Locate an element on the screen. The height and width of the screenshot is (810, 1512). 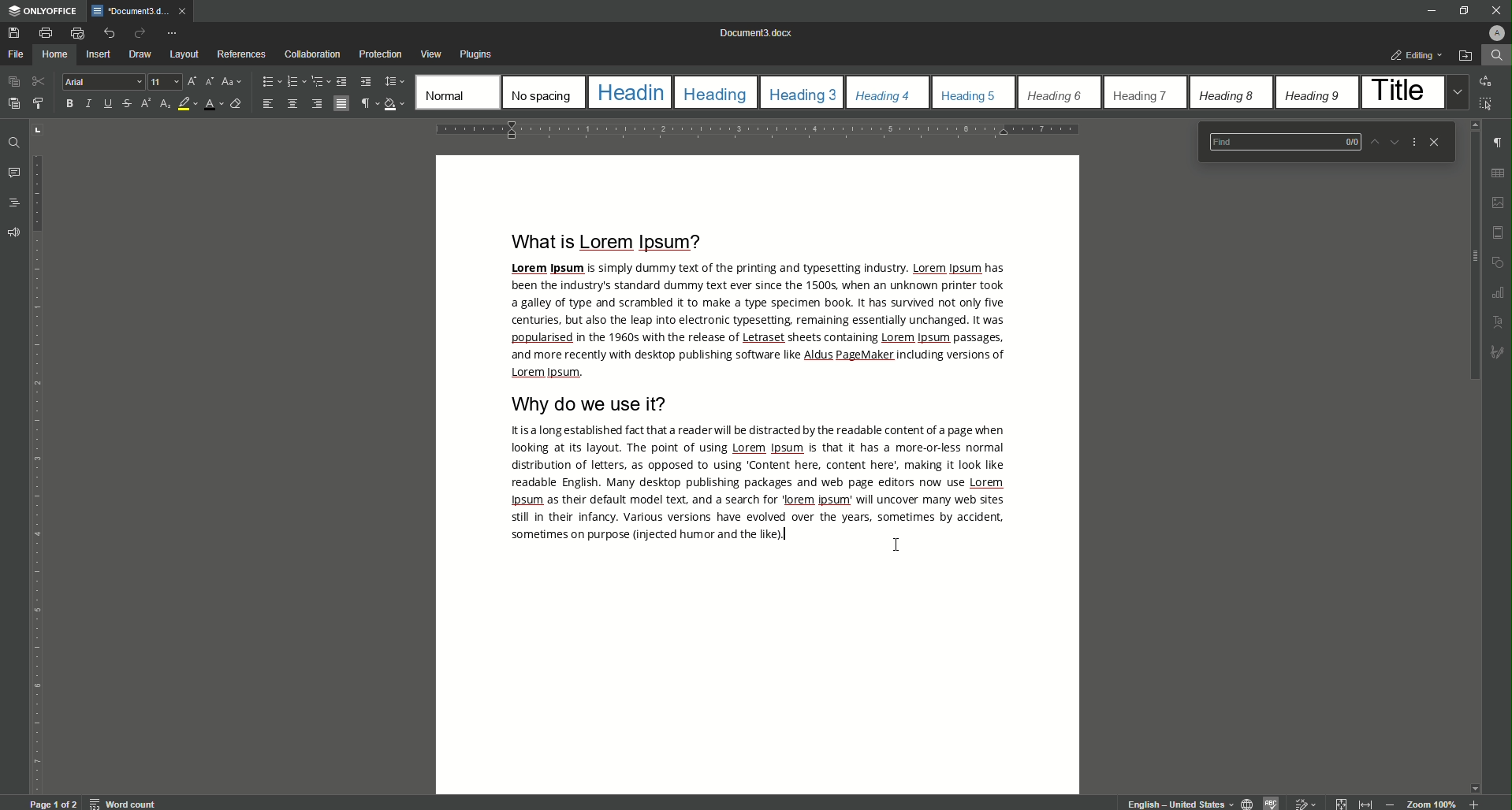
Document ) is located at coordinates (139, 12).